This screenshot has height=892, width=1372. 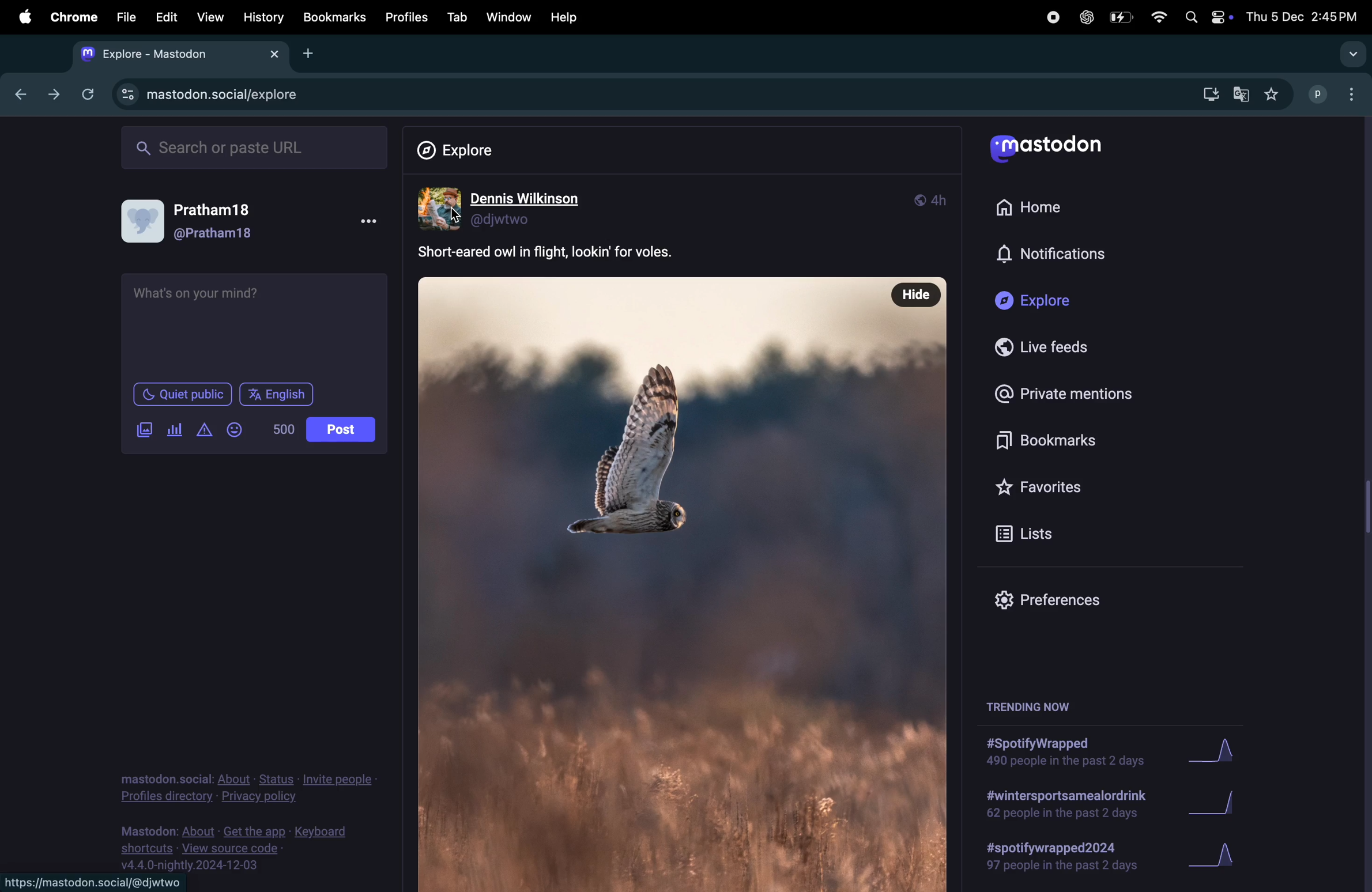 What do you see at coordinates (277, 394) in the screenshot?
I see `English` at bounding box center [277, 394].